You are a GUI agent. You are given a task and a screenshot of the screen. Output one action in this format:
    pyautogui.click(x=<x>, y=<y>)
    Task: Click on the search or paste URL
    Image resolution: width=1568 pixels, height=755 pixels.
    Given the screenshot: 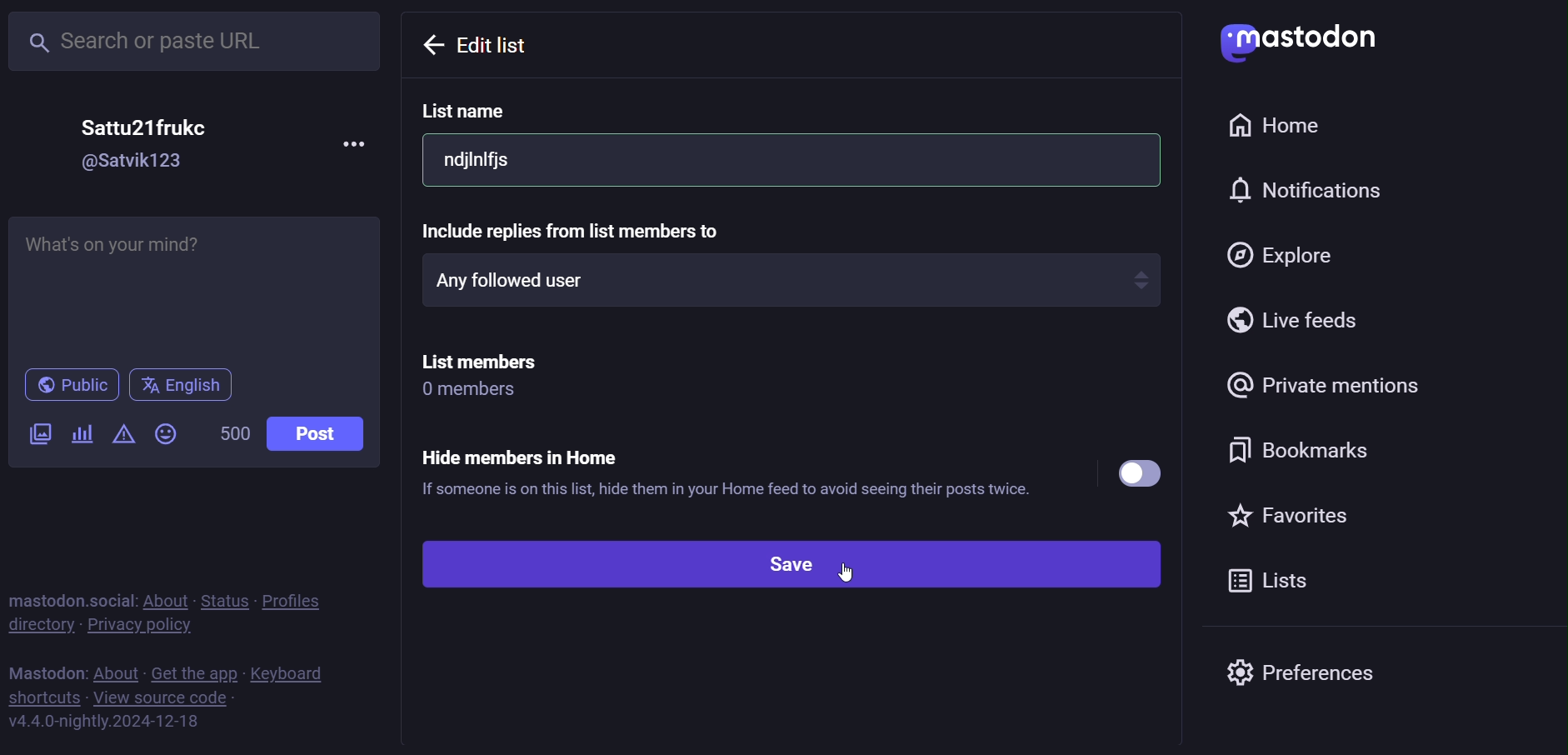 What is the action you would take?
    pyautogui.click(x=200, y=37)
    